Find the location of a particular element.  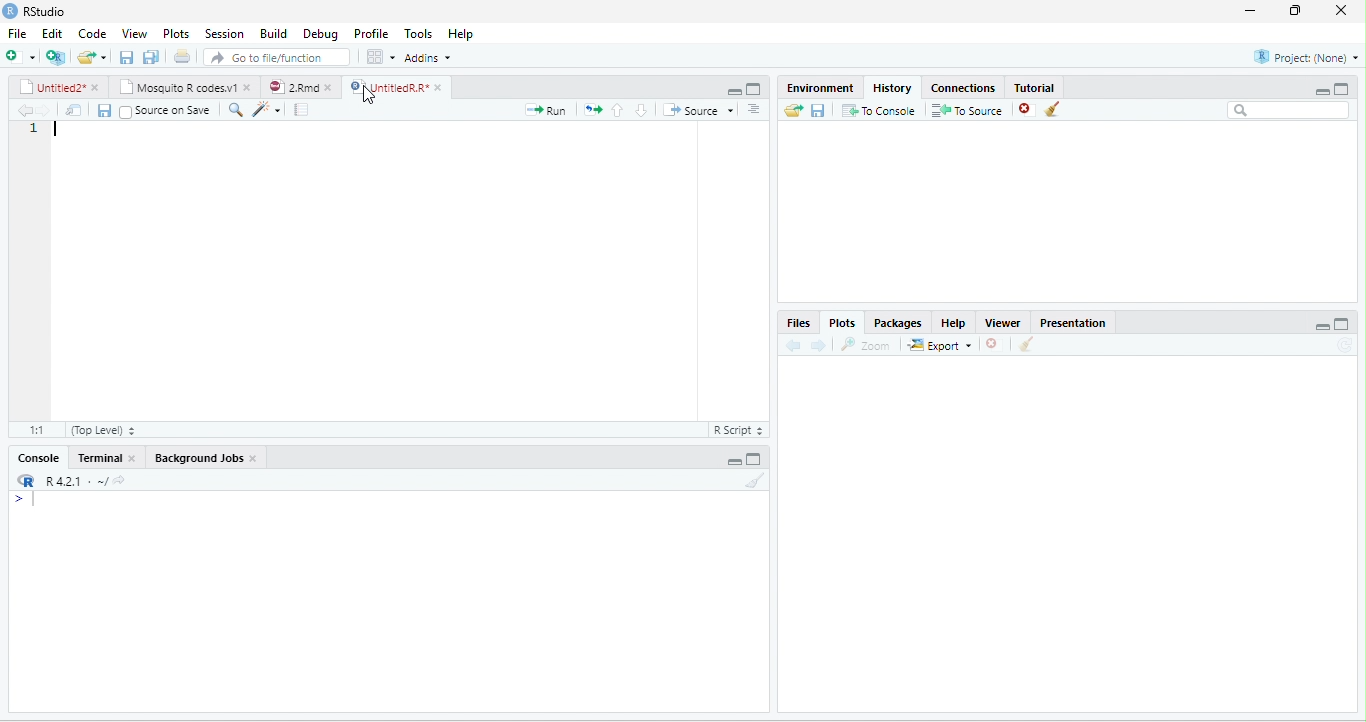

view is located at coordinates (136, 33).